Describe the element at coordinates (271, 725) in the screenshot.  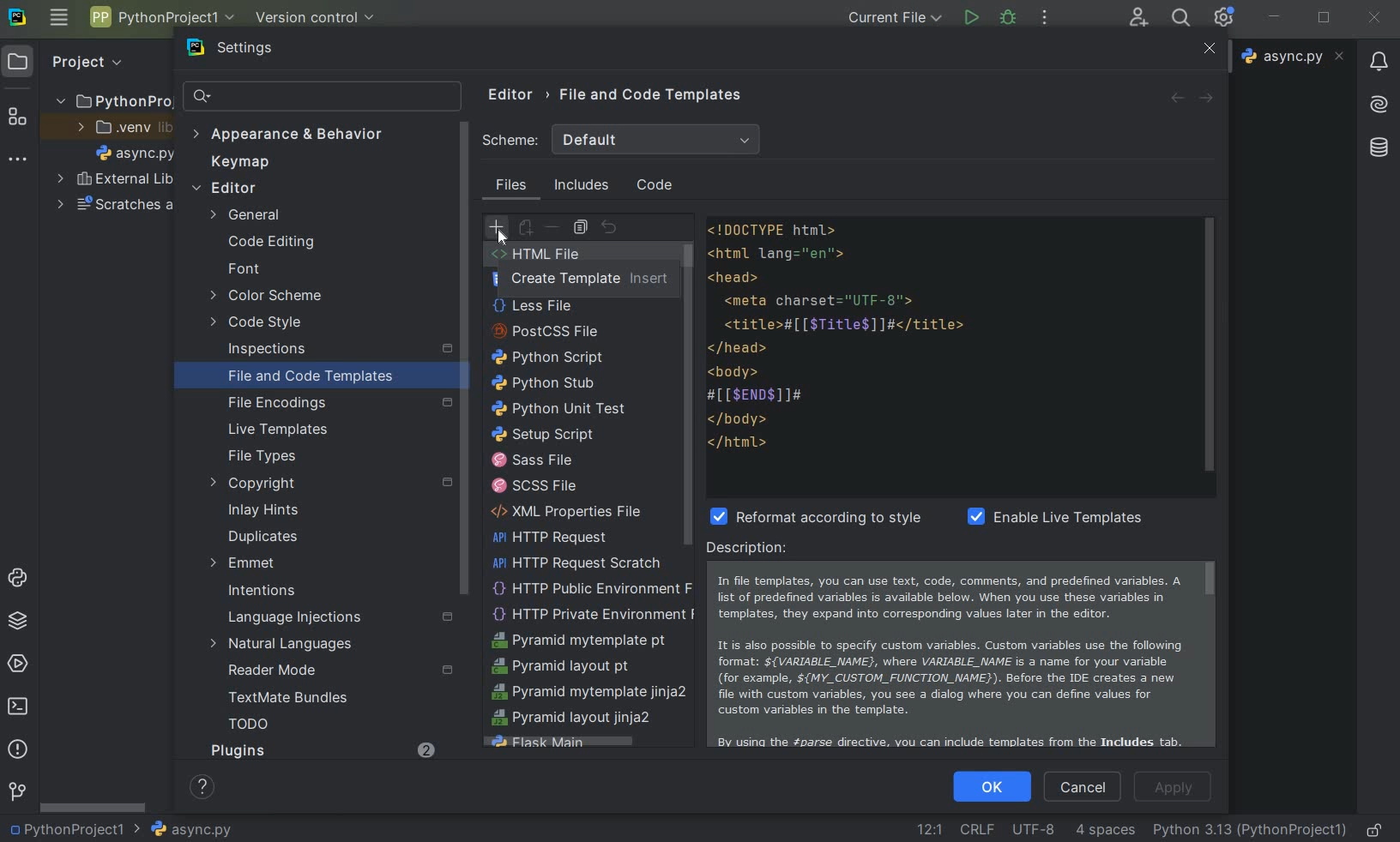
I see `TODO` at that location.